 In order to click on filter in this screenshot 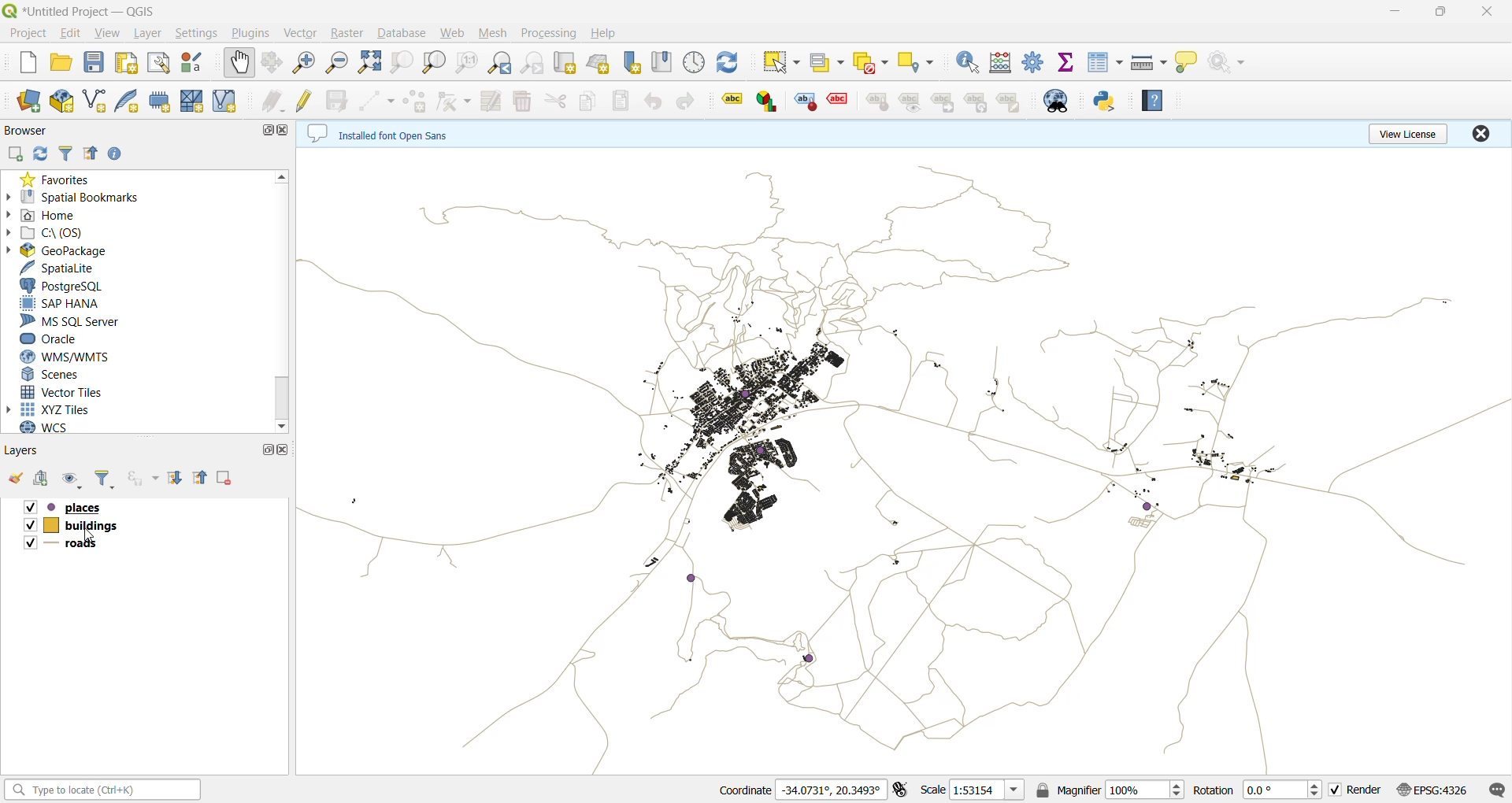, I will do `click(69, 154)`.